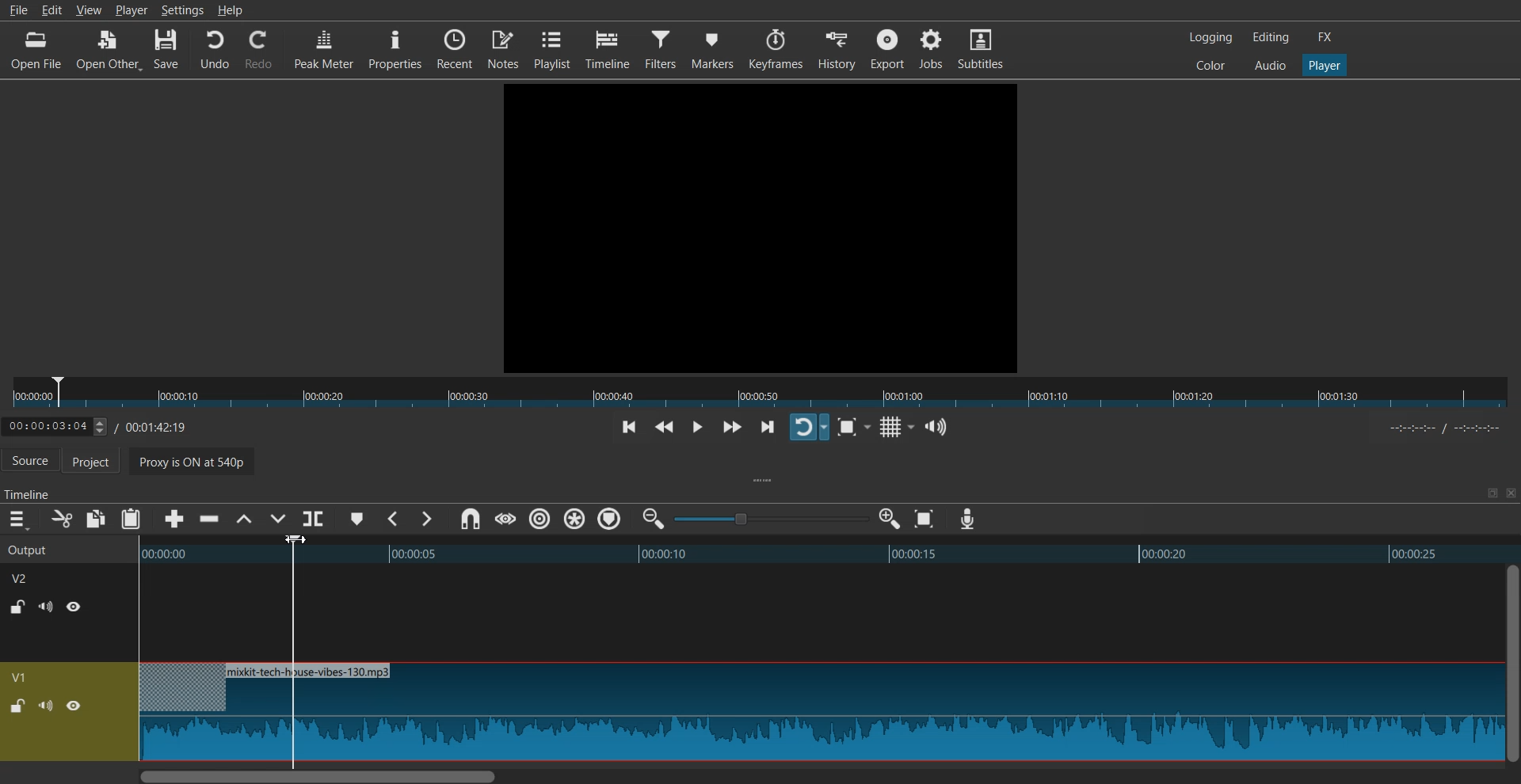 This screenshot has width=1521, height=784. What do you see at coordinates (46, 607) in the screenshot?
I see `Mute` at bounding box center [46, 607].